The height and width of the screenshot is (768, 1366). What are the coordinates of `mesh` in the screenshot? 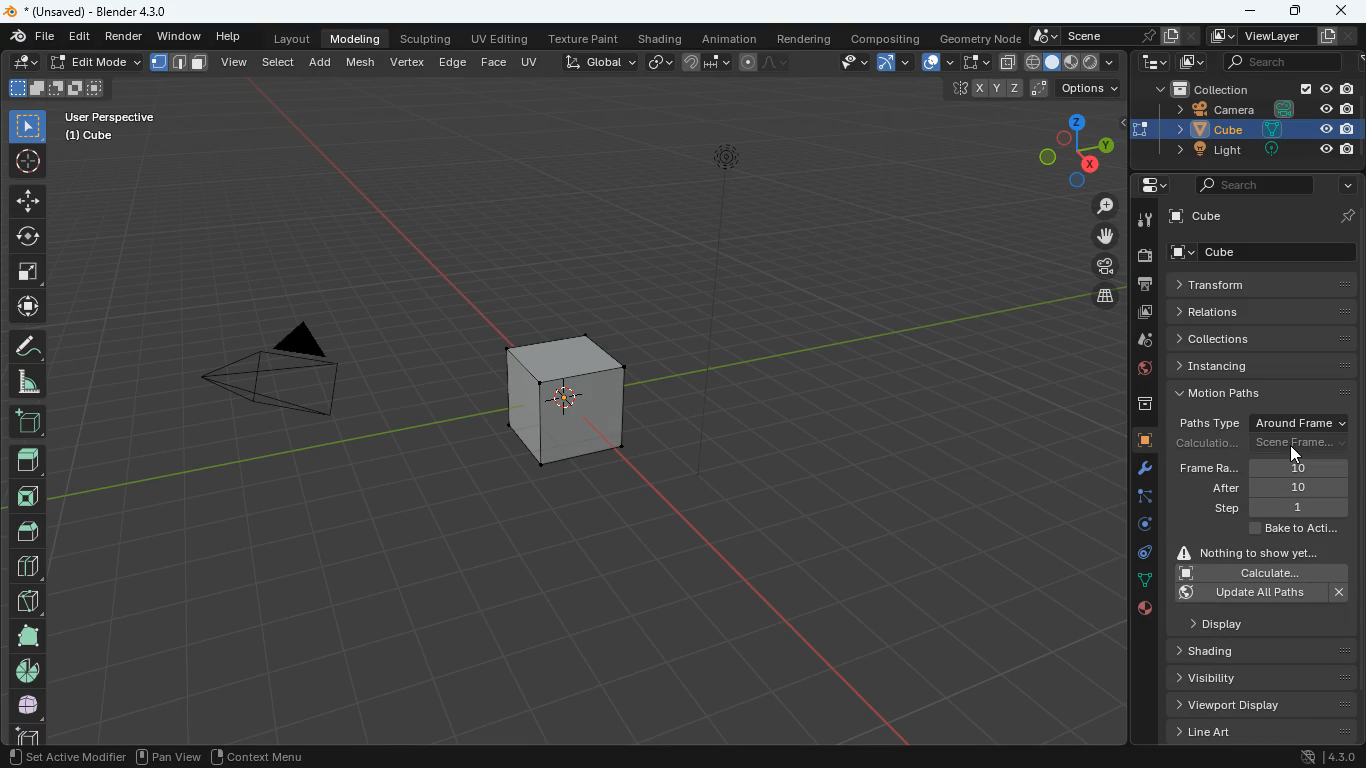 It's located at (364, 61).